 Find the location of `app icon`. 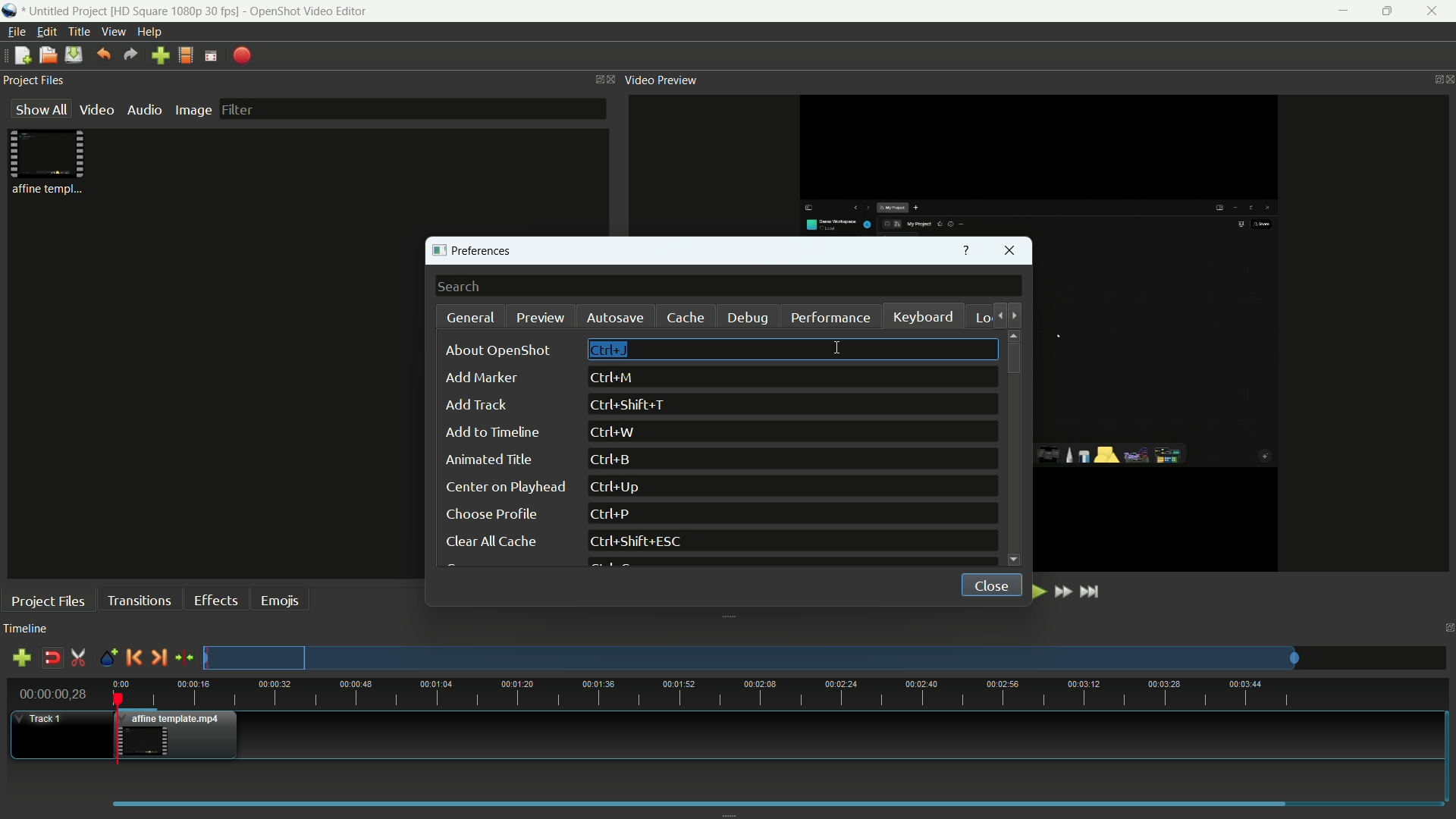

app icon is located at coordinates (11, 12).